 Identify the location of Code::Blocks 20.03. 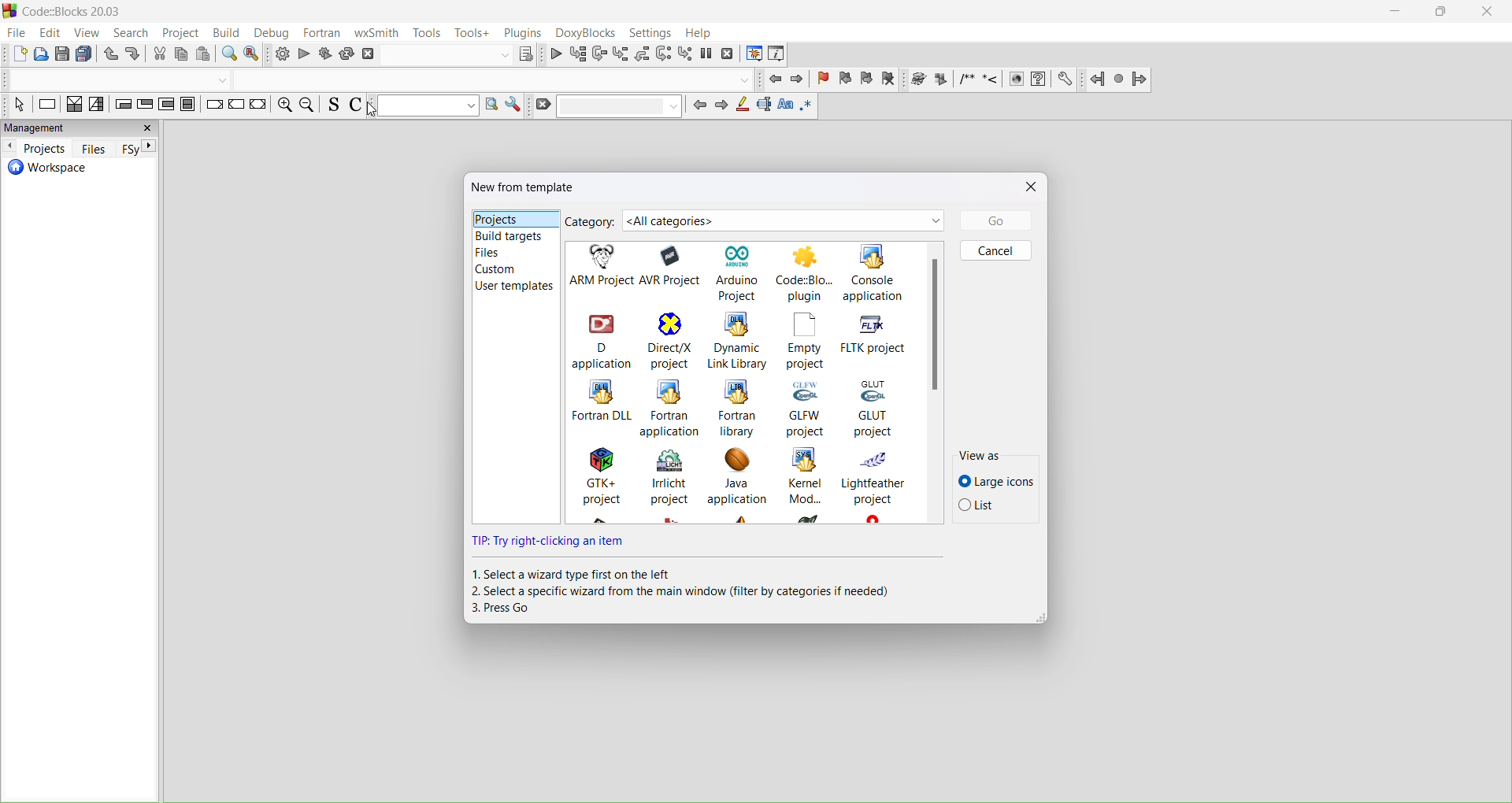
(68, 12).